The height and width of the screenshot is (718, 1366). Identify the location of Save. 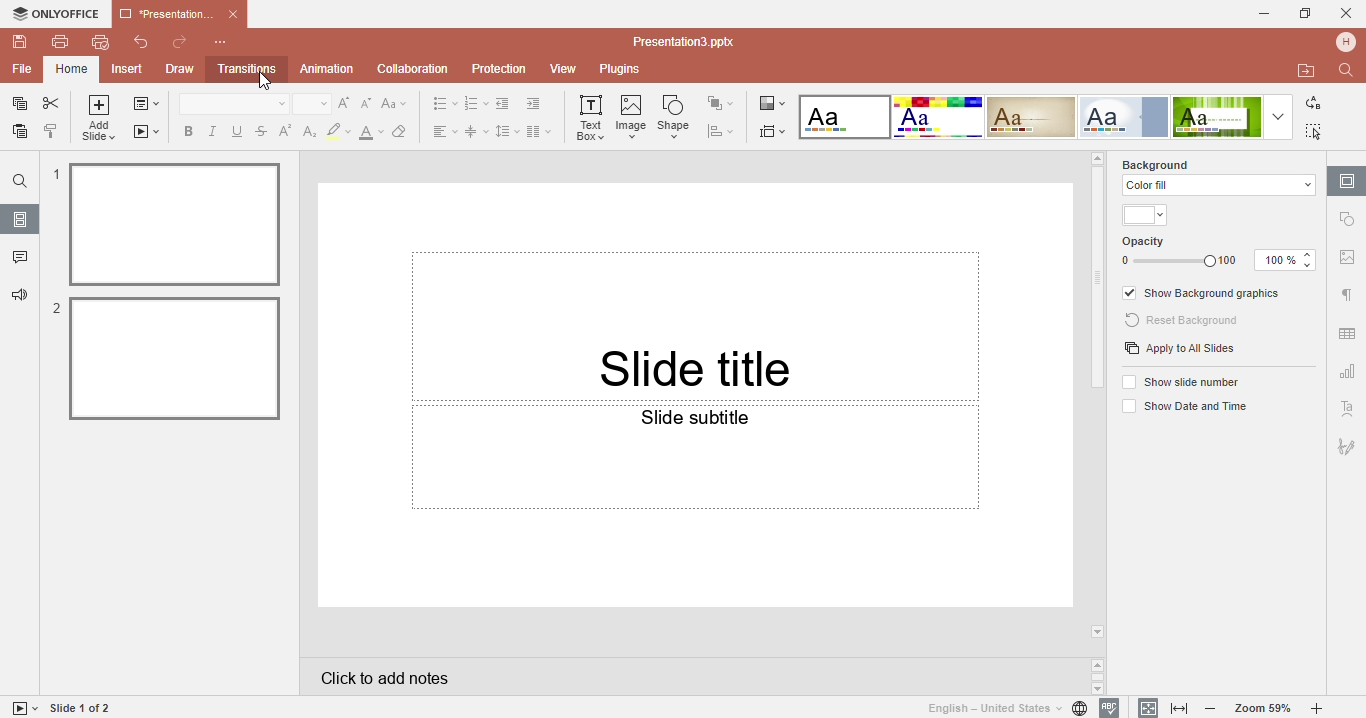
(17, 42).